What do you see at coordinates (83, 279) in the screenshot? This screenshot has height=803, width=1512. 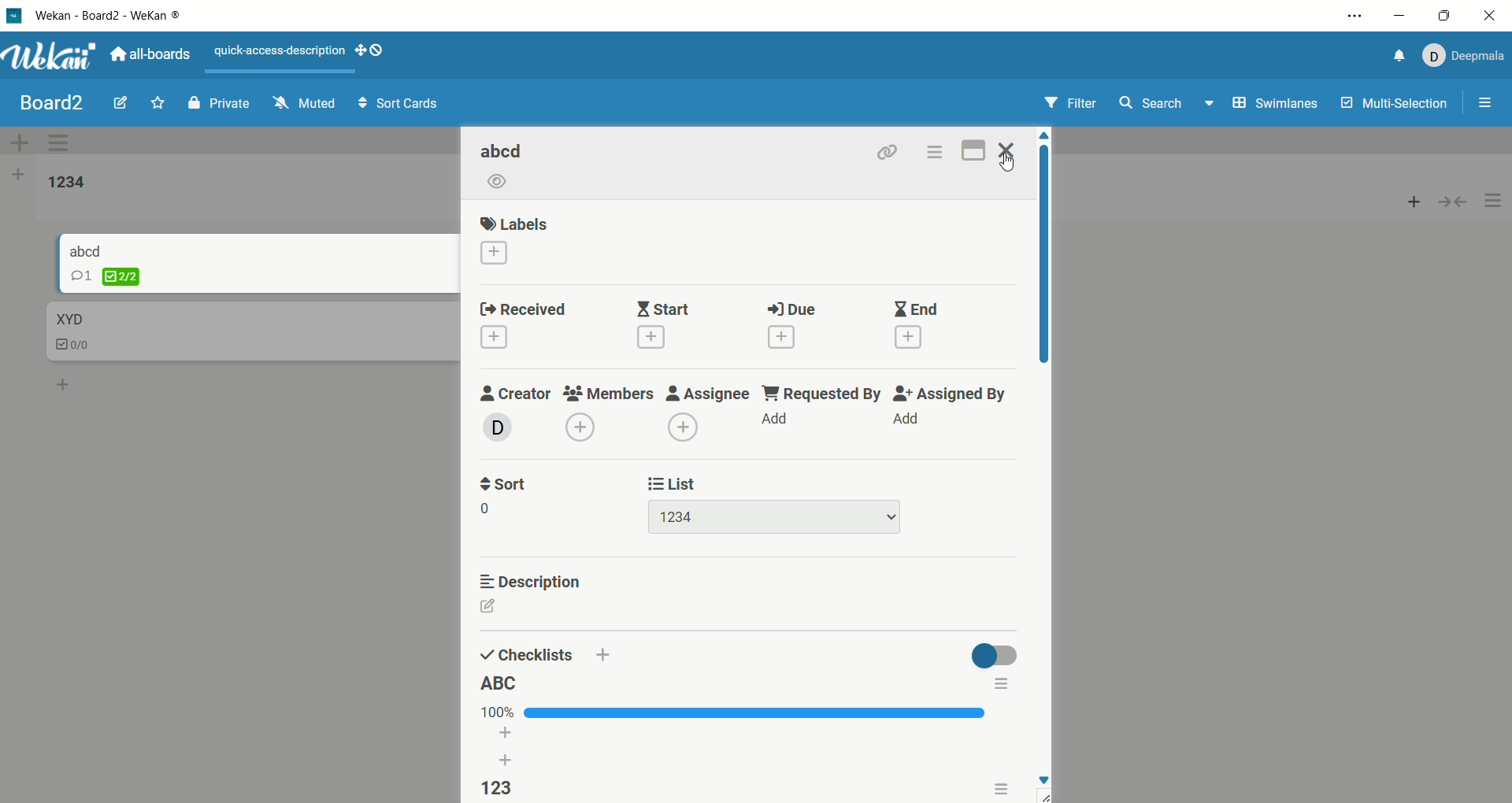 I see `comment` at bounding box center [83, 279].